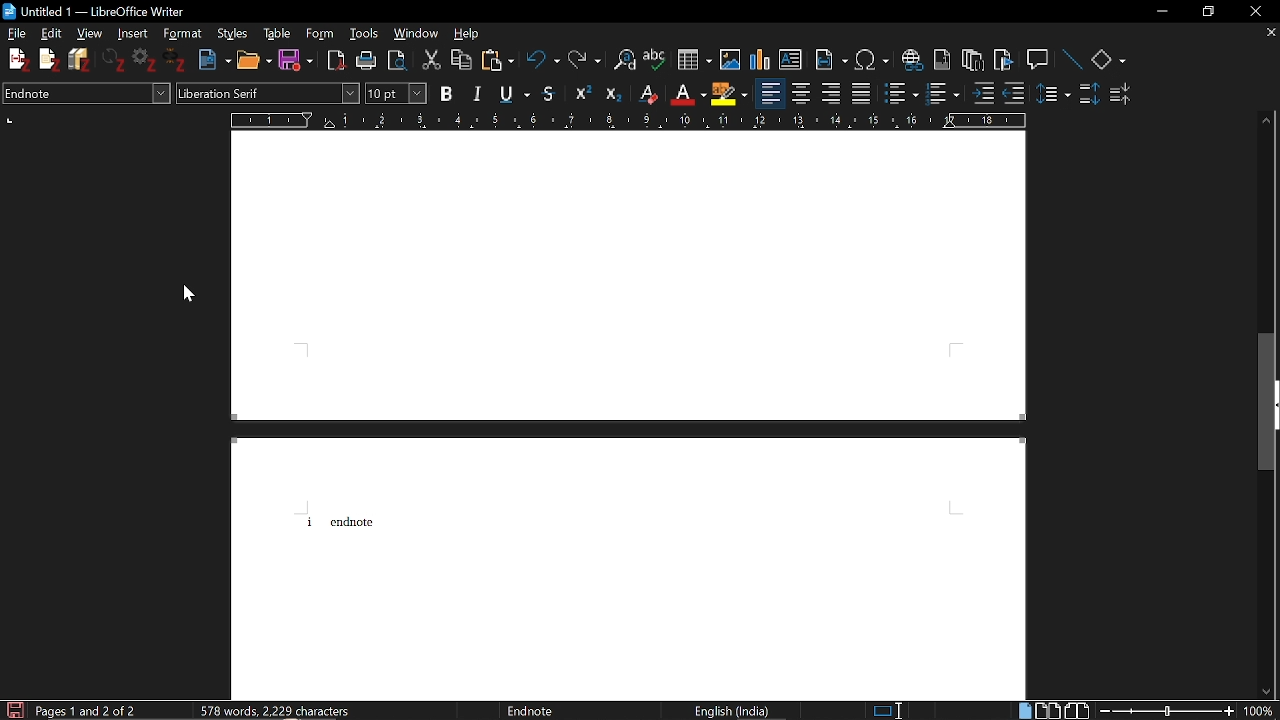 Image resolution: width=1280 pixels, height=720 pixels. What do you see at coordinates (430, 61) in the screenshot?
I see `Cut` at bounding box center [430, 61].